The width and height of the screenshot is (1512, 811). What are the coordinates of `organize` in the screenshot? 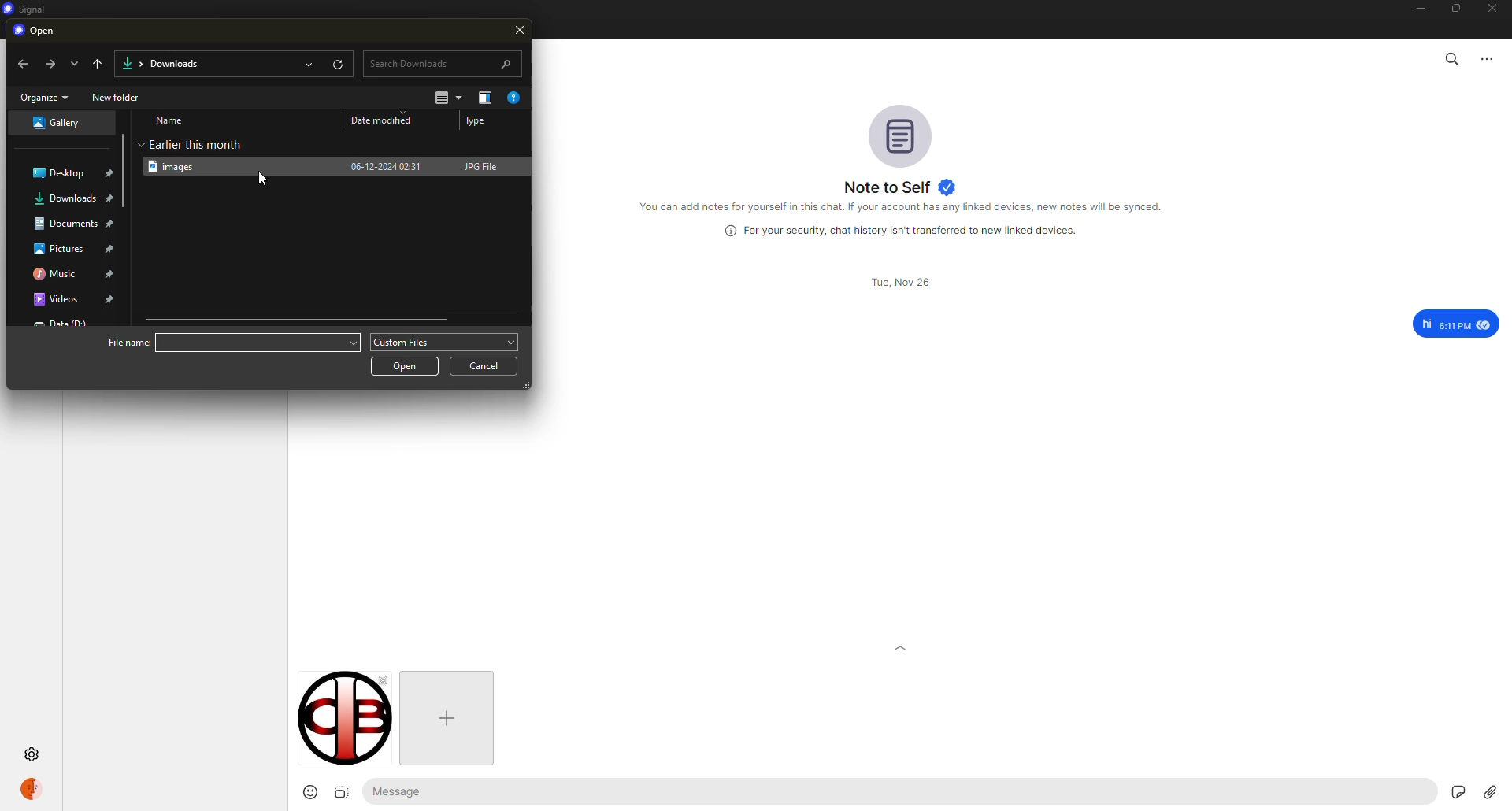 It's located at (45, 97).